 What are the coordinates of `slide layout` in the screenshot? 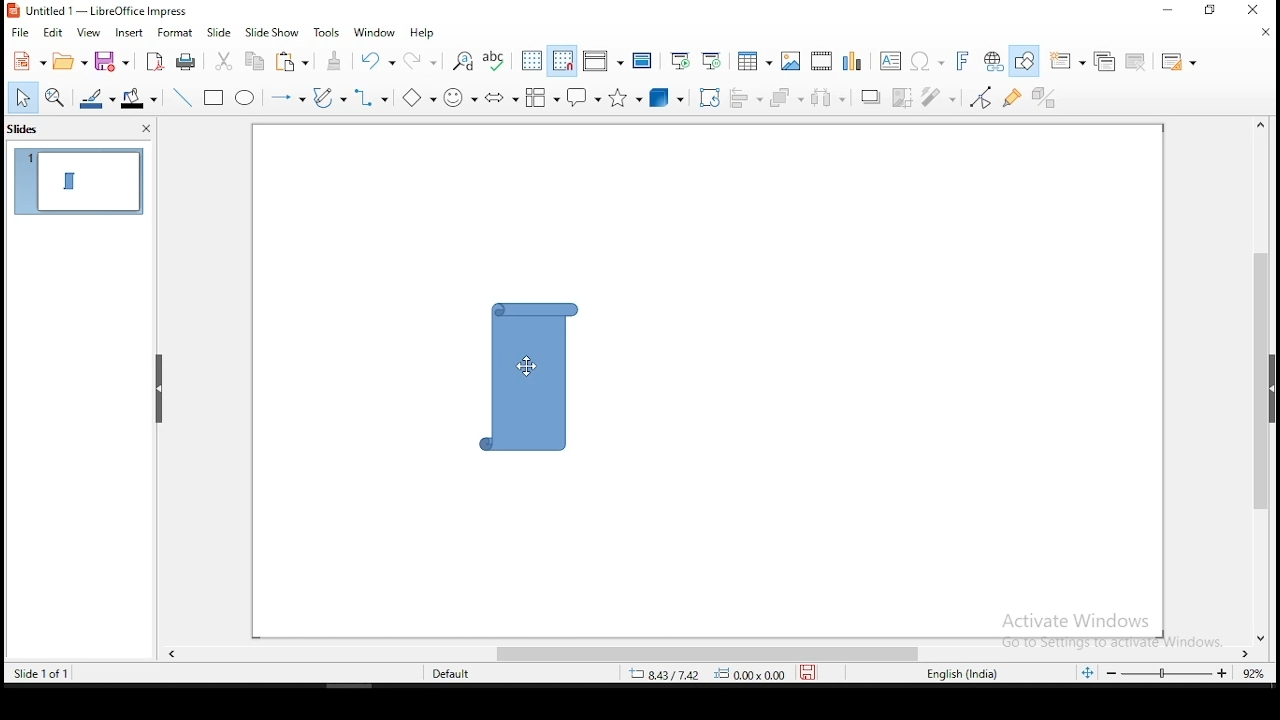 It's located at (1181, 62).